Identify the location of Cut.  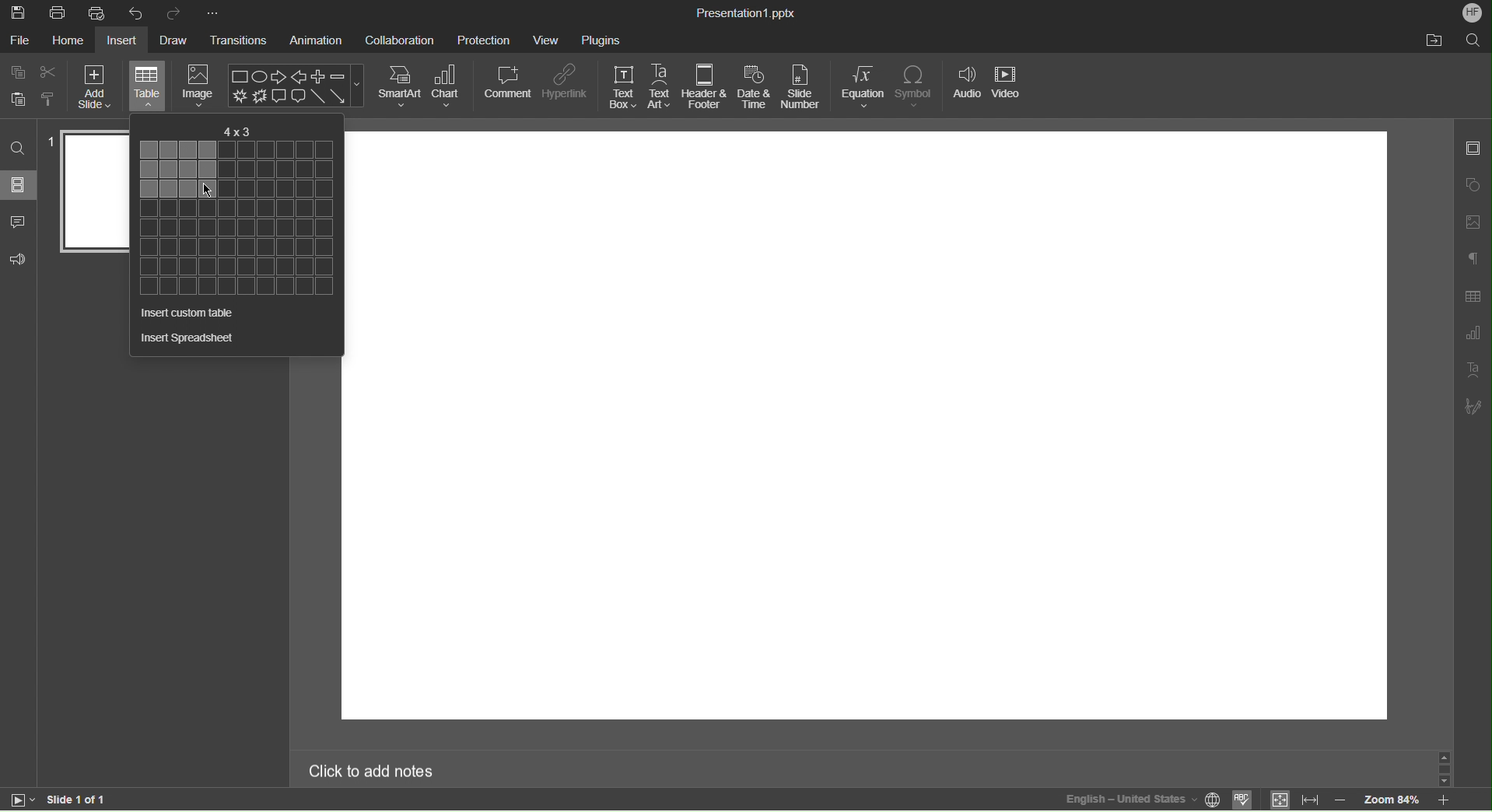
(50, 72).